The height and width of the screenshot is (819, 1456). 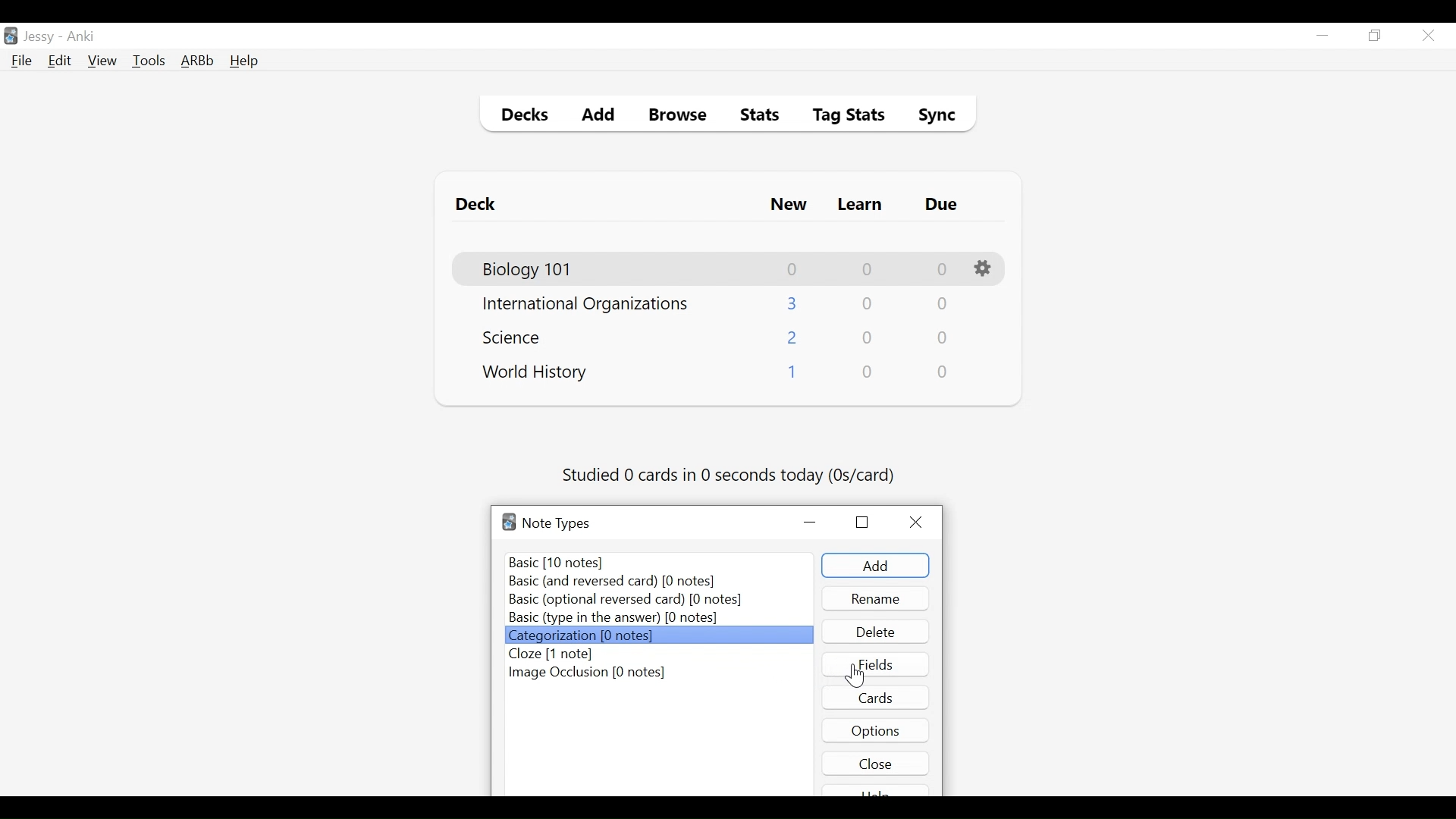 What do you see at coordinates (589, 673) in the screenshot?
I see `Image Occlusion` at bounding box center [589, 673].